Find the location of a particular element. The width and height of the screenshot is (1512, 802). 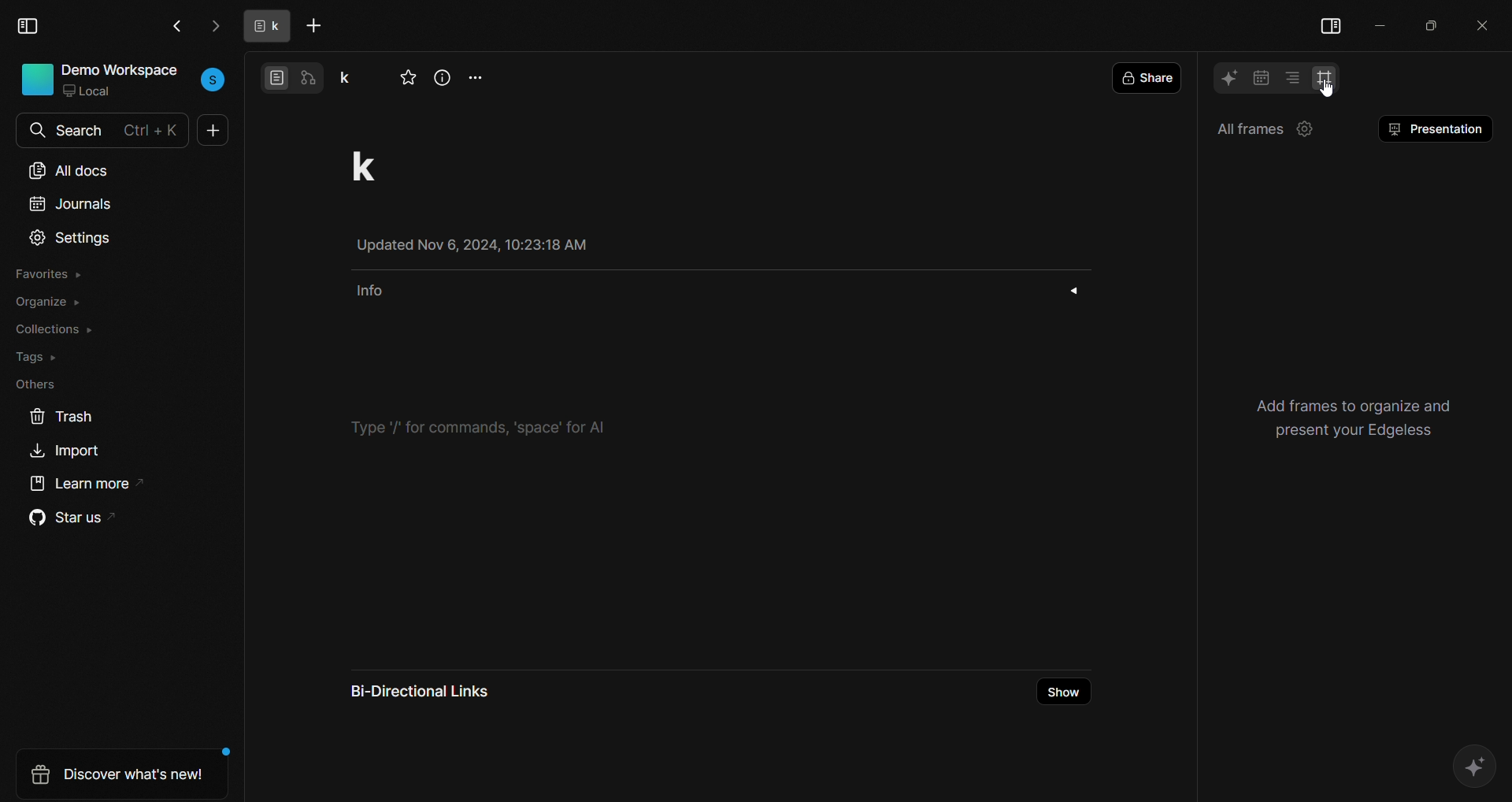

star us is located at coordinates (66, 520).